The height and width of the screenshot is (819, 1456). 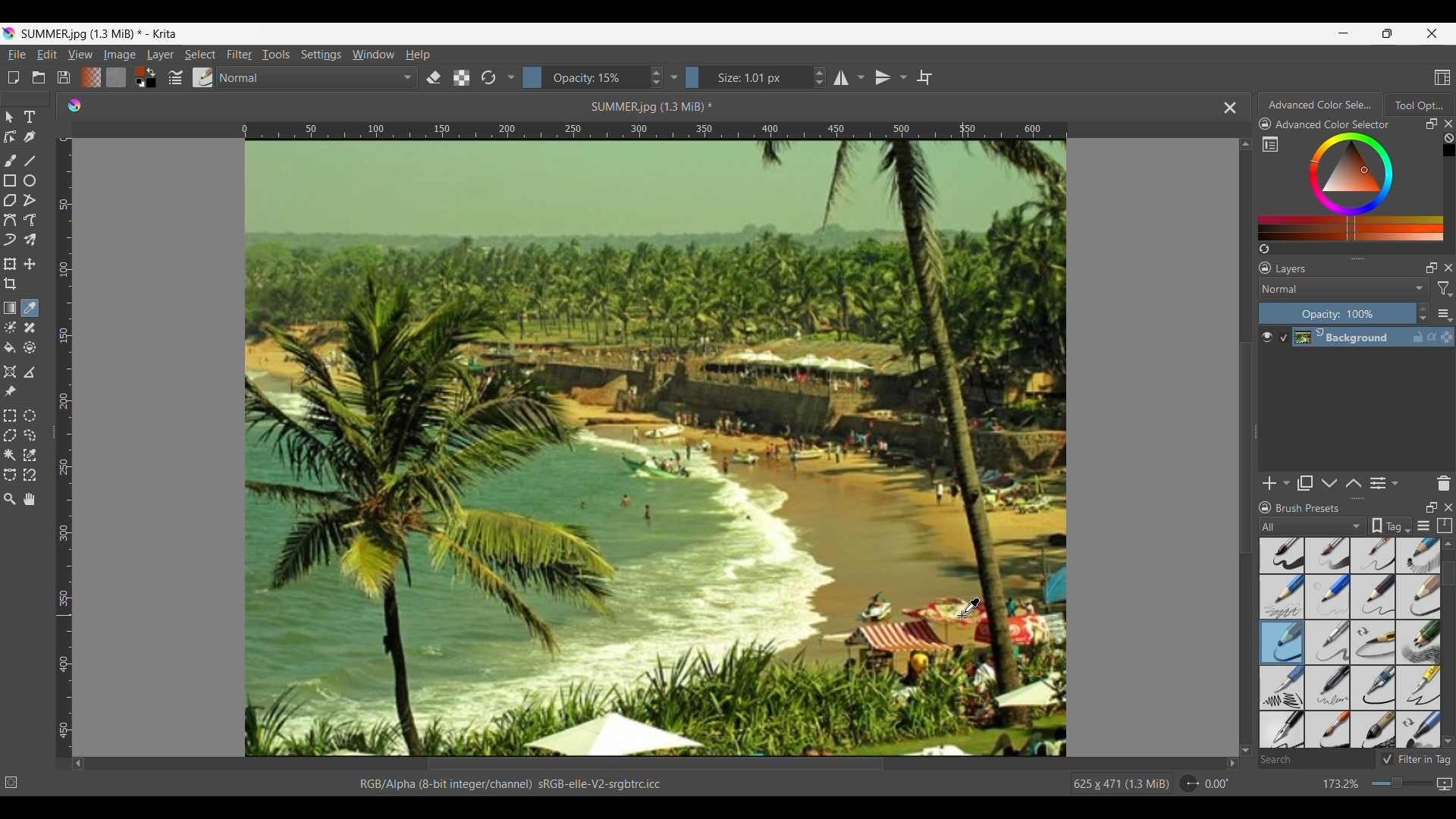 I want to click on Tag options, so click(x=1313, y=526).